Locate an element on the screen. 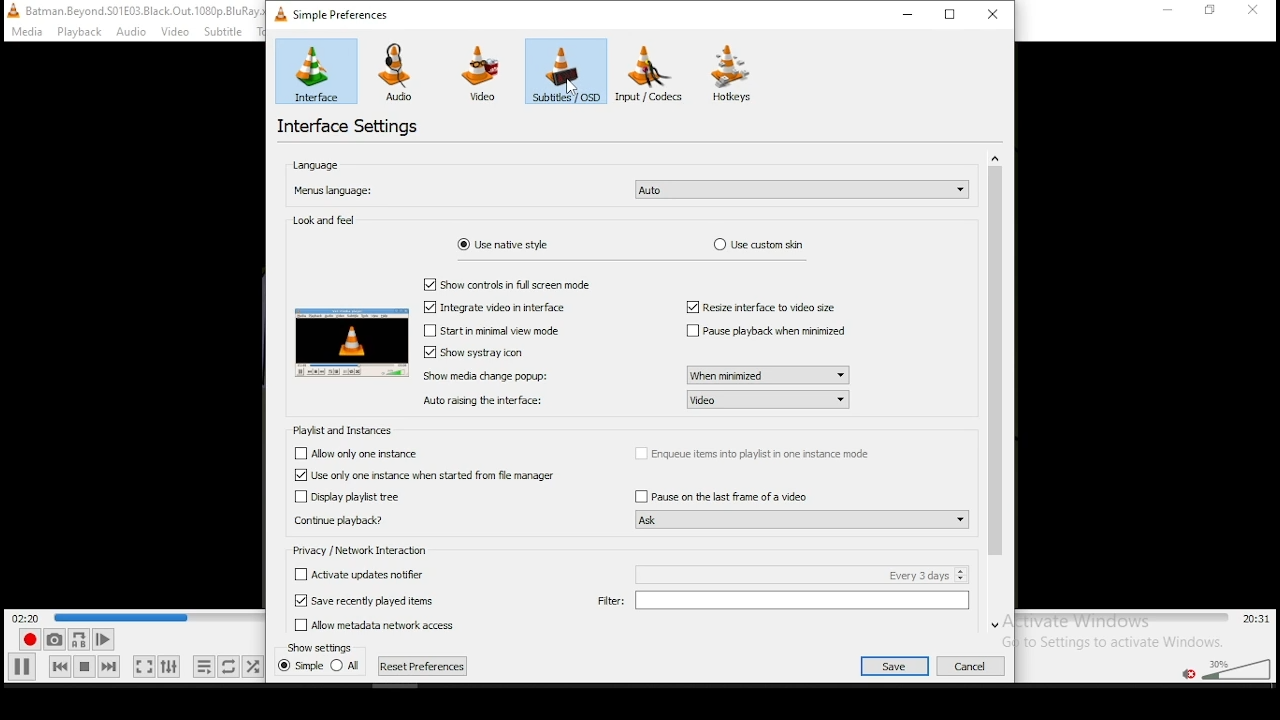  interface settings is located at coordinates (360, 127).